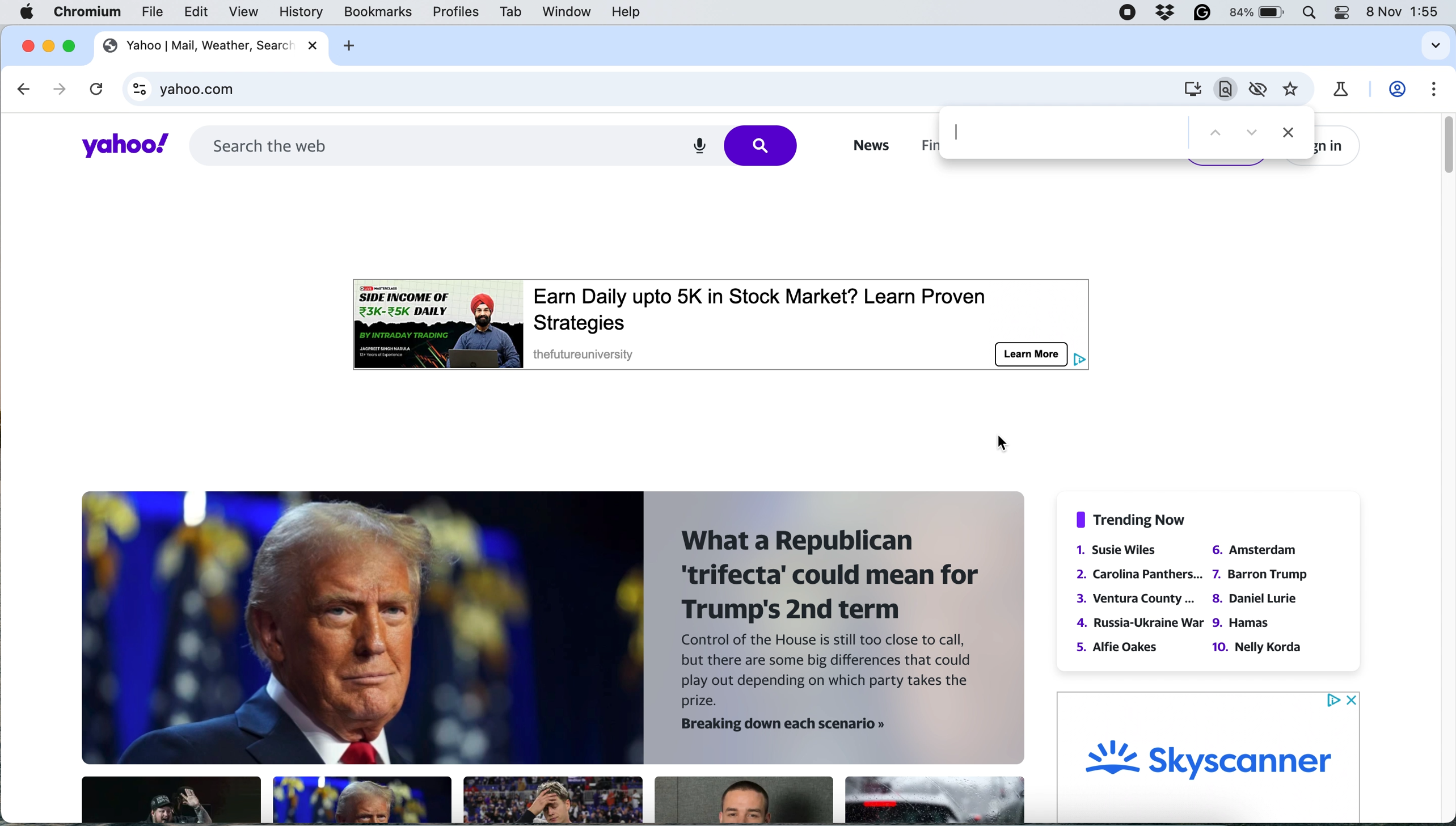 This screenshot has width=1456, height=826. I want to click on profile, so click(1398, 92).